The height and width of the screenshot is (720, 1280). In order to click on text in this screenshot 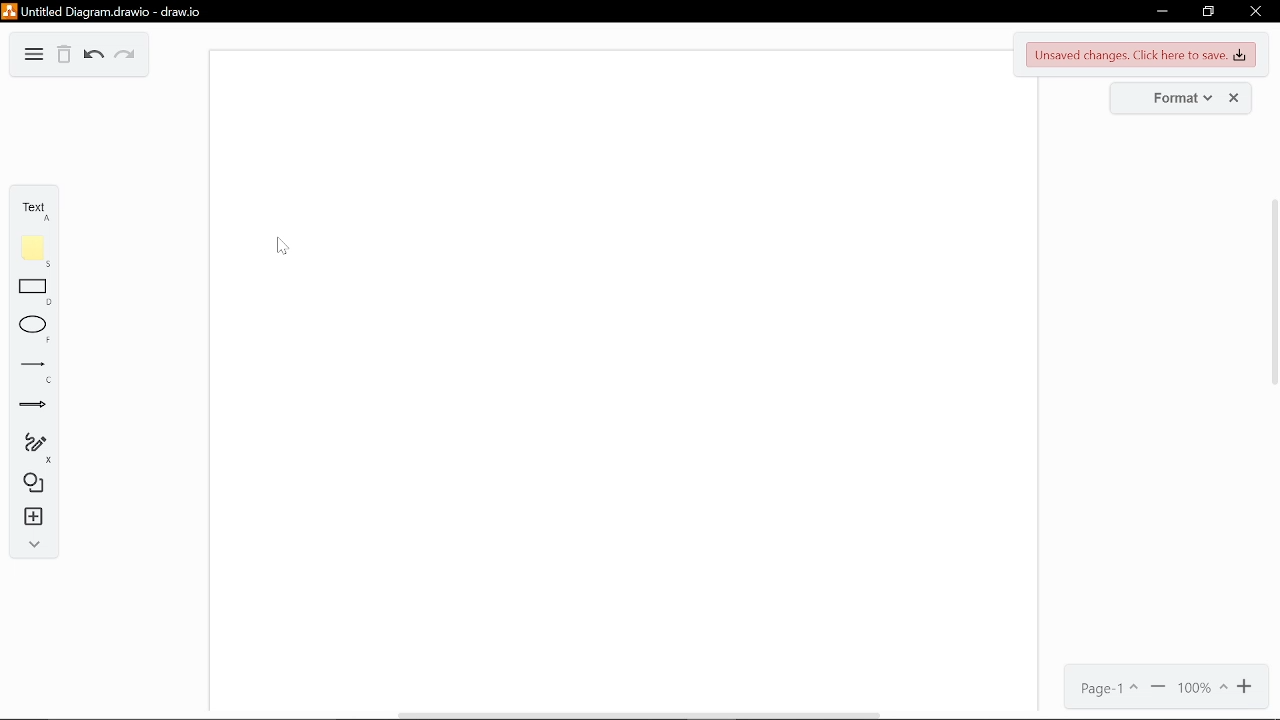, I will do `click(34, 206)`.